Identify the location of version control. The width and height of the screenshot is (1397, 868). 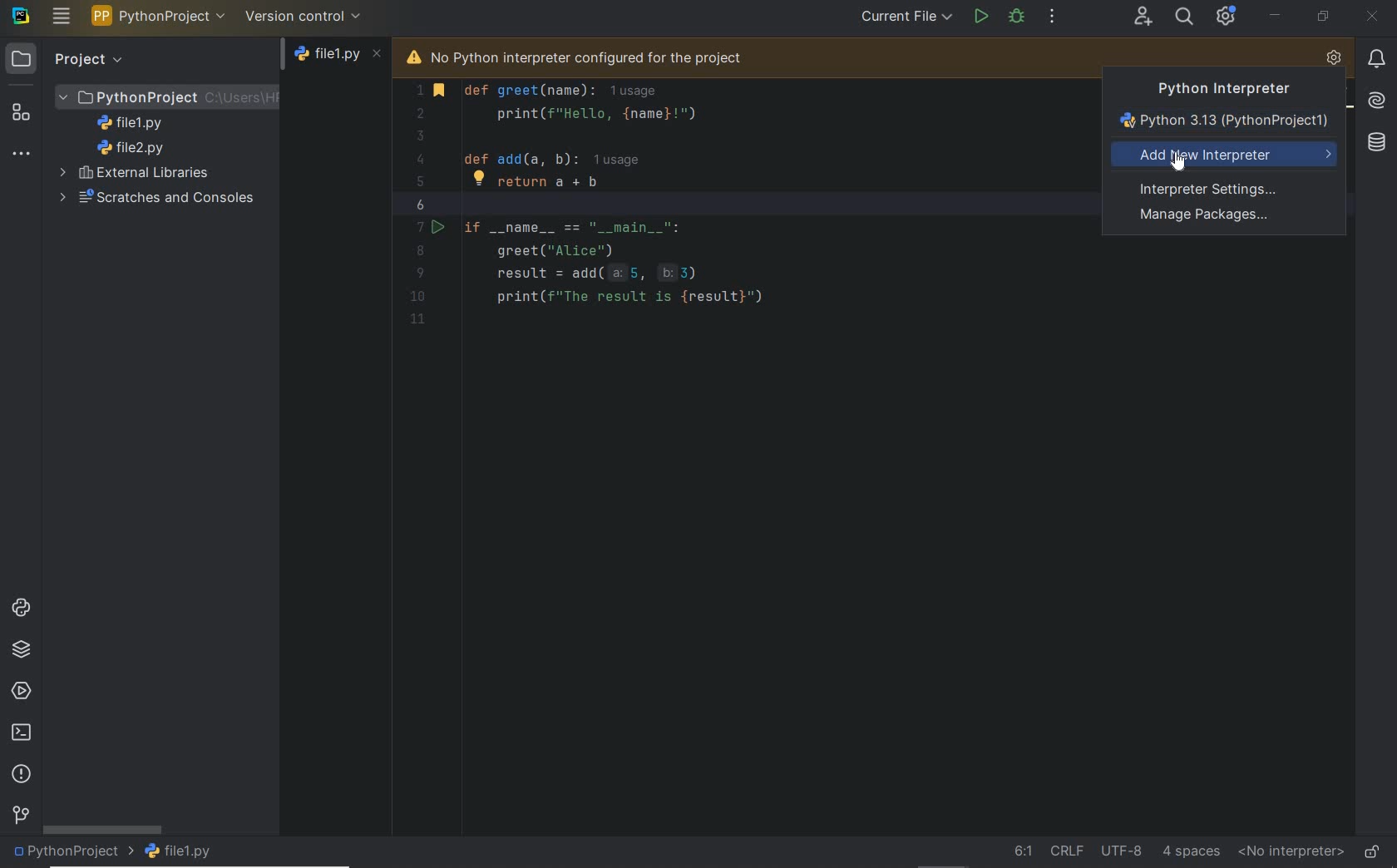
(304, 16).